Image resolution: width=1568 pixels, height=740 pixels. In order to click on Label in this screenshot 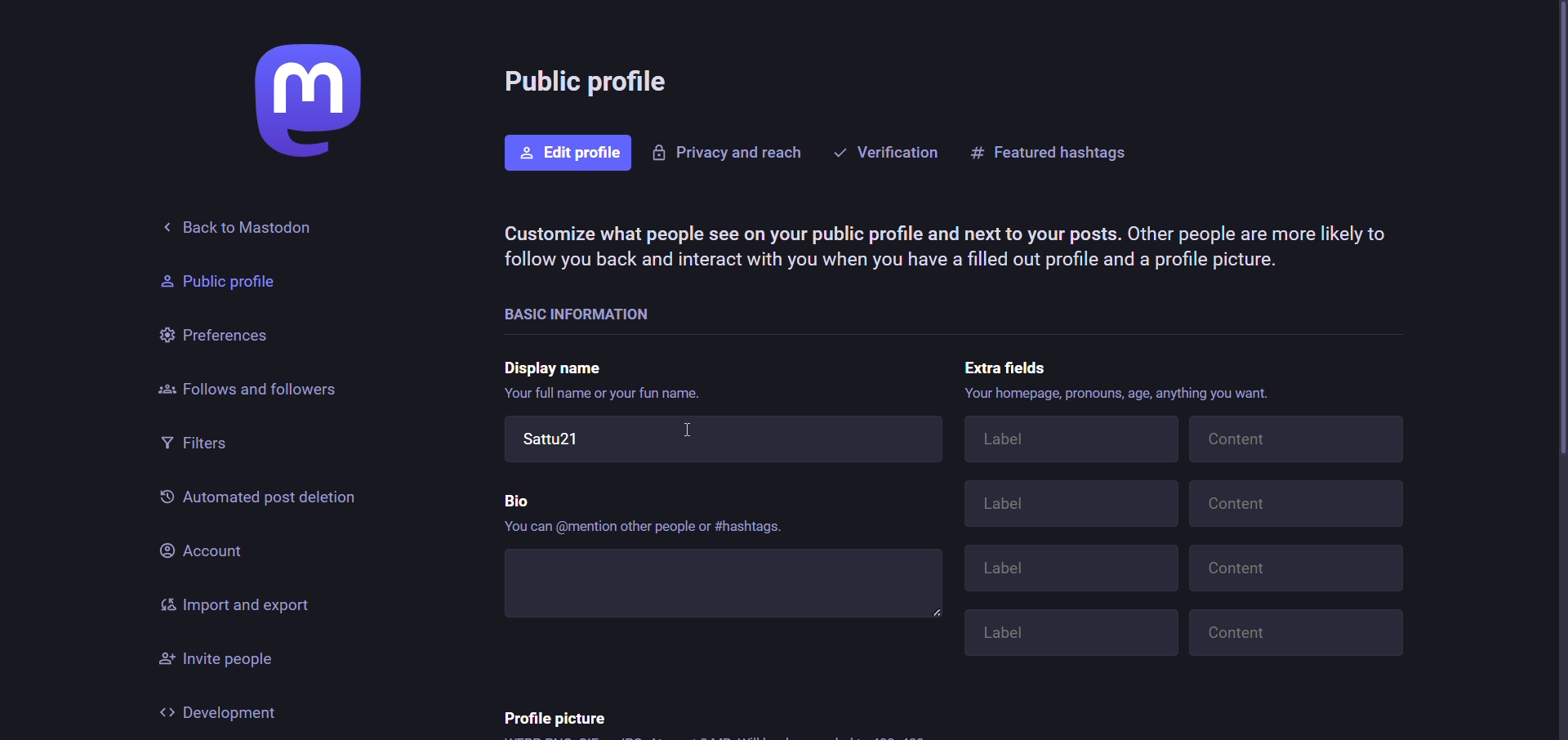, I will do `click(1068, 635)`.